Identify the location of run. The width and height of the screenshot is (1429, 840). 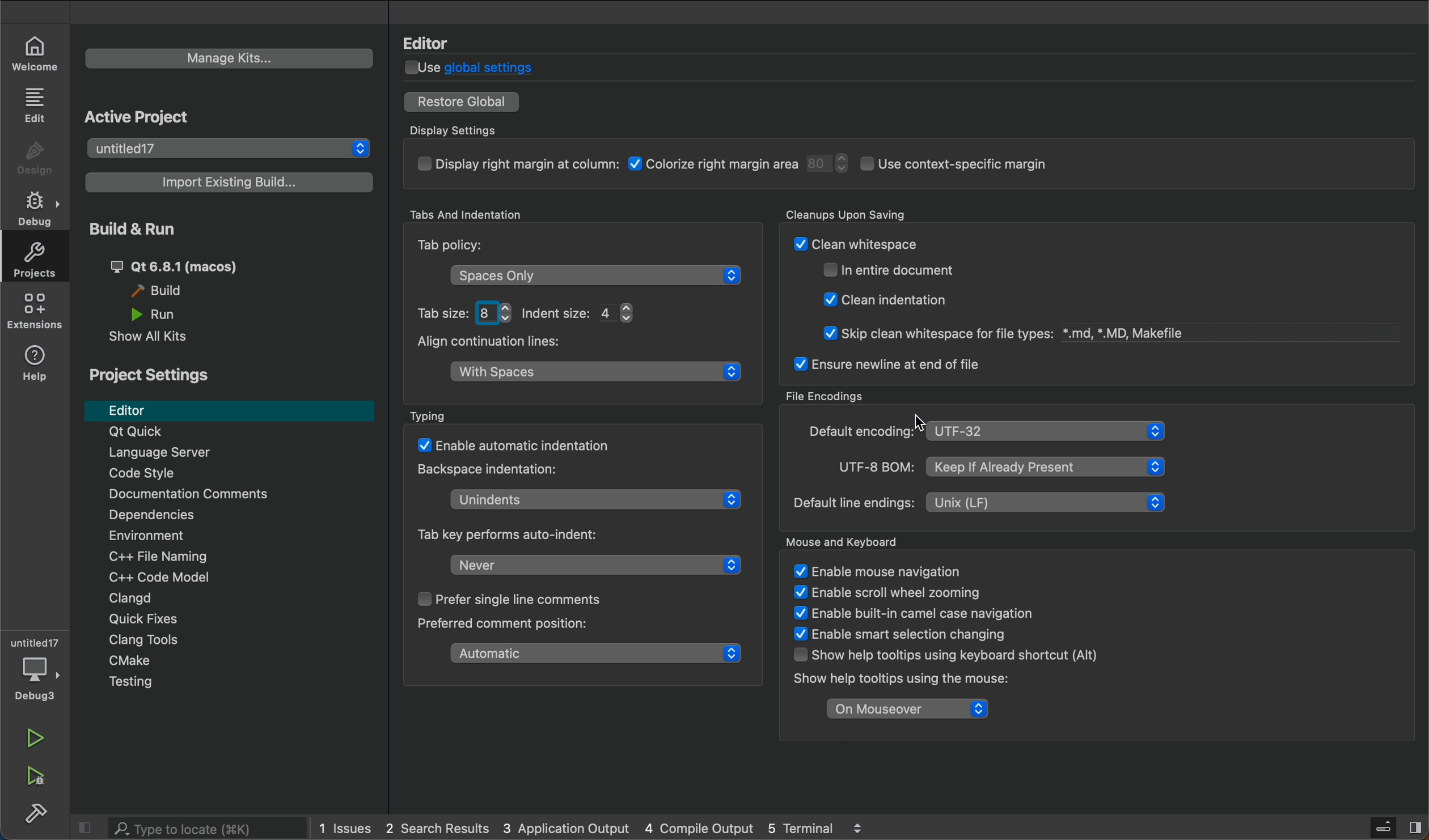
(38, 739).